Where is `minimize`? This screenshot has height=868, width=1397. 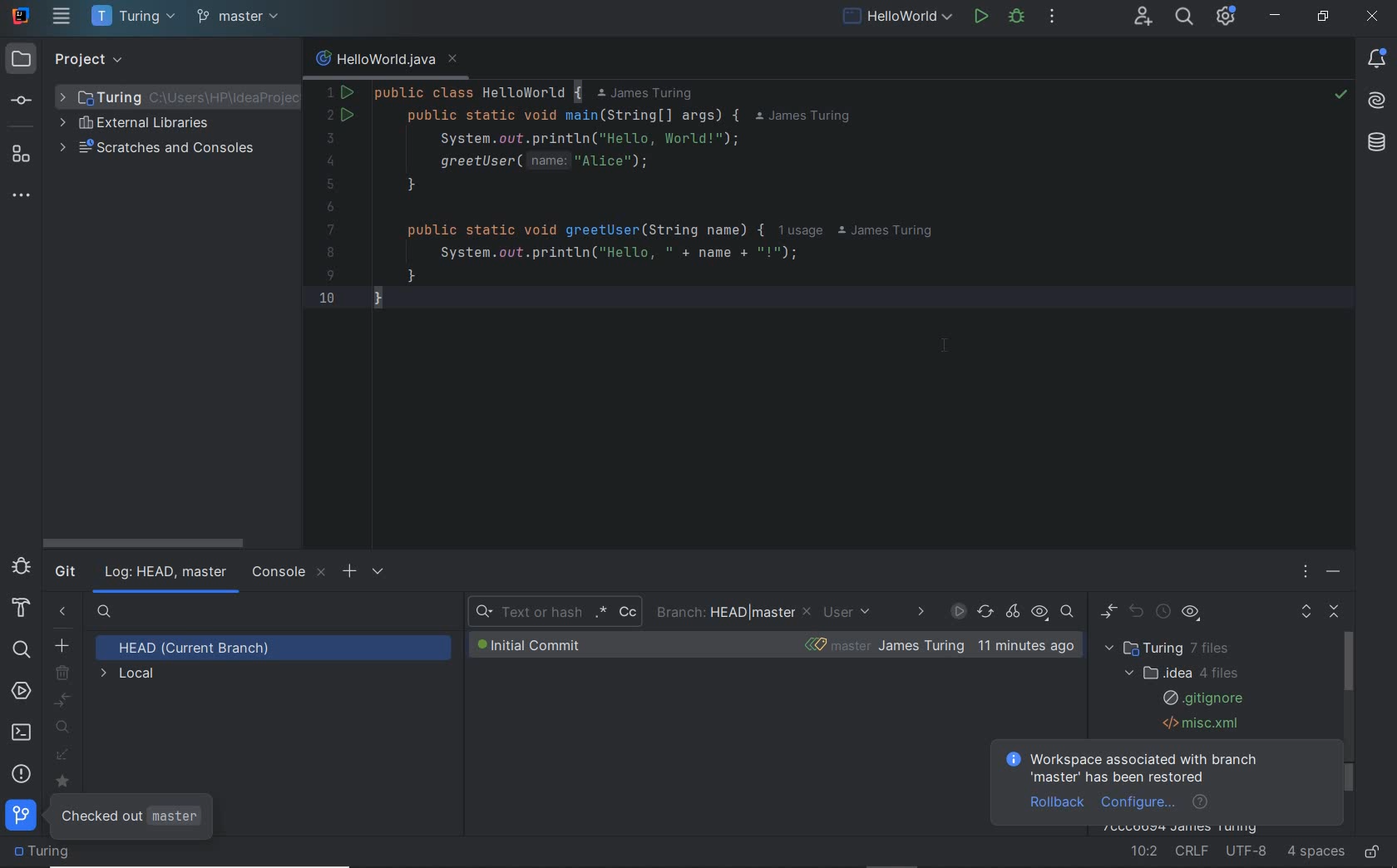
minimize is located at coordinates (1276, 16).